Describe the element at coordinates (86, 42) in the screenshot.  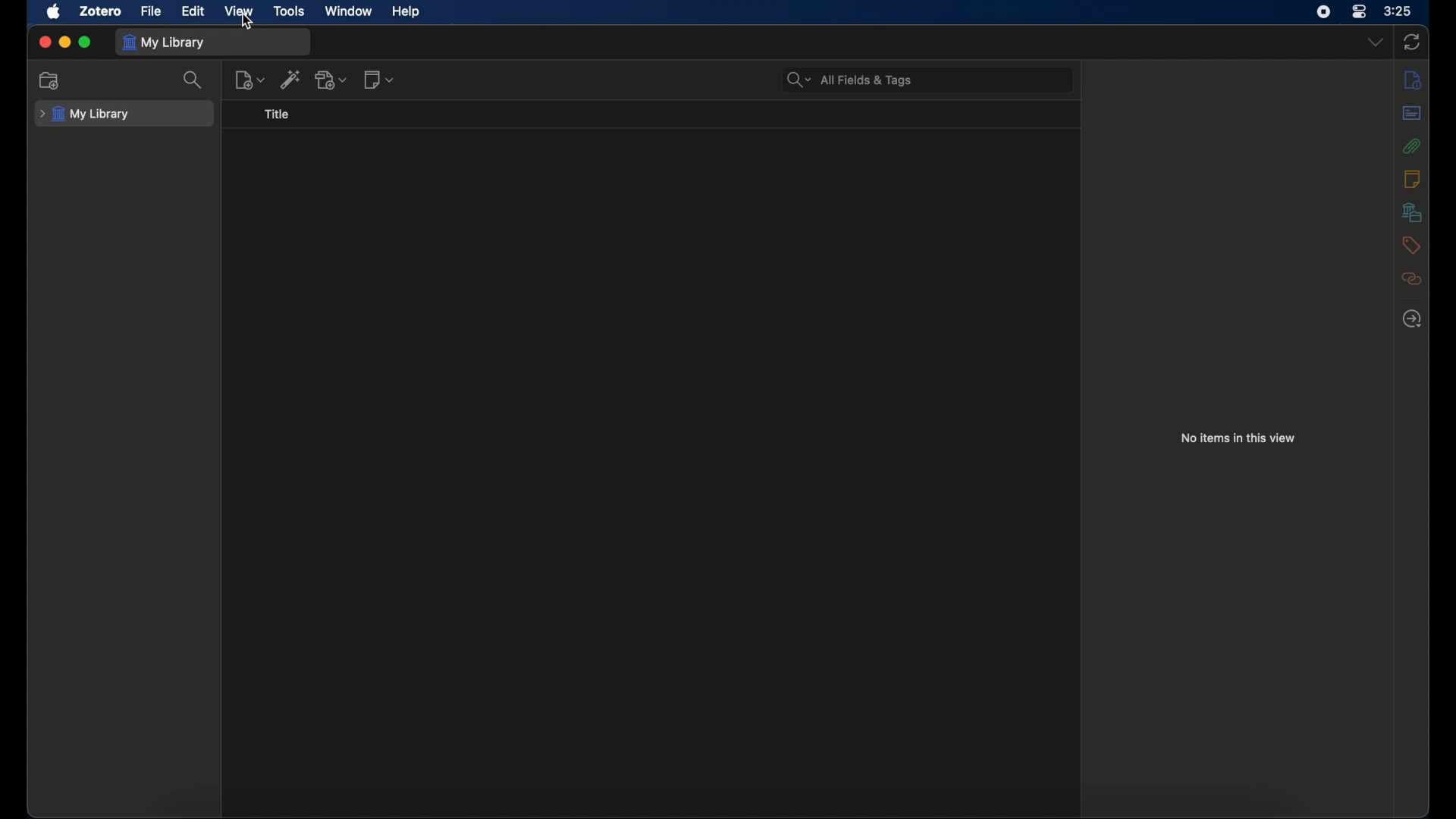
I see `maximize` at that location.